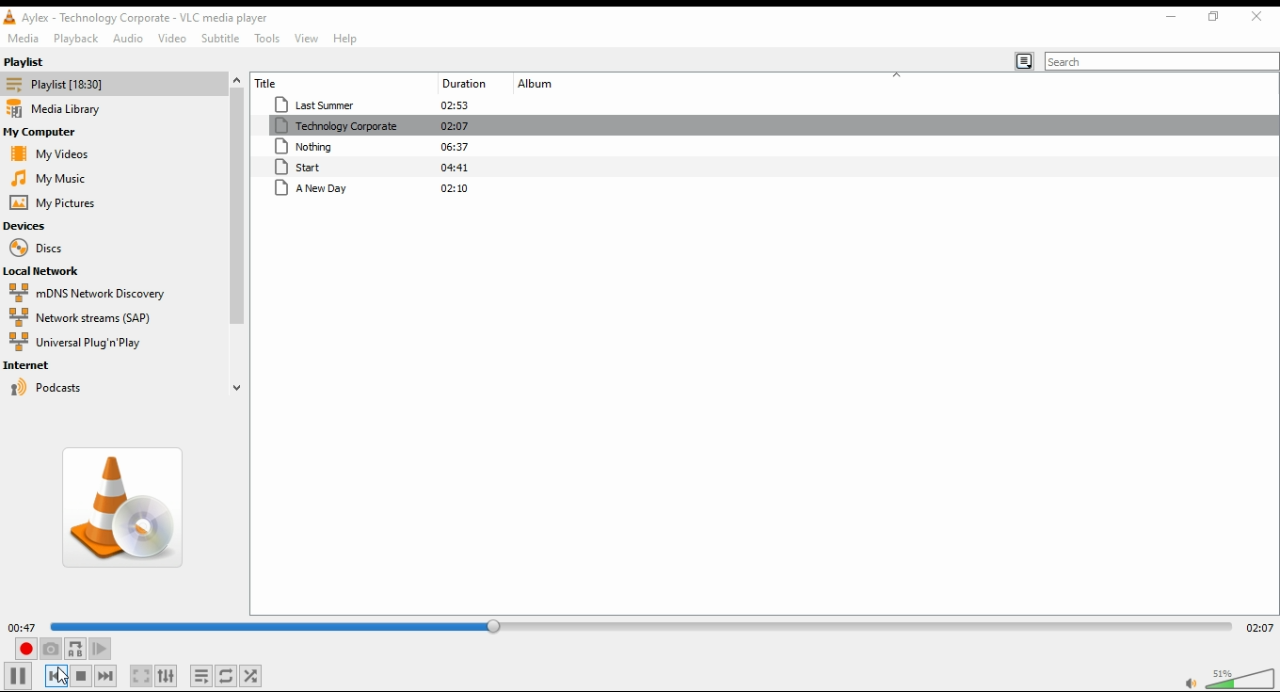 Image resolution: width=1280 pixels, height=692 pixels. I want to click on loop between point A to point B continuously. Click to set point A, so click(75, 649).